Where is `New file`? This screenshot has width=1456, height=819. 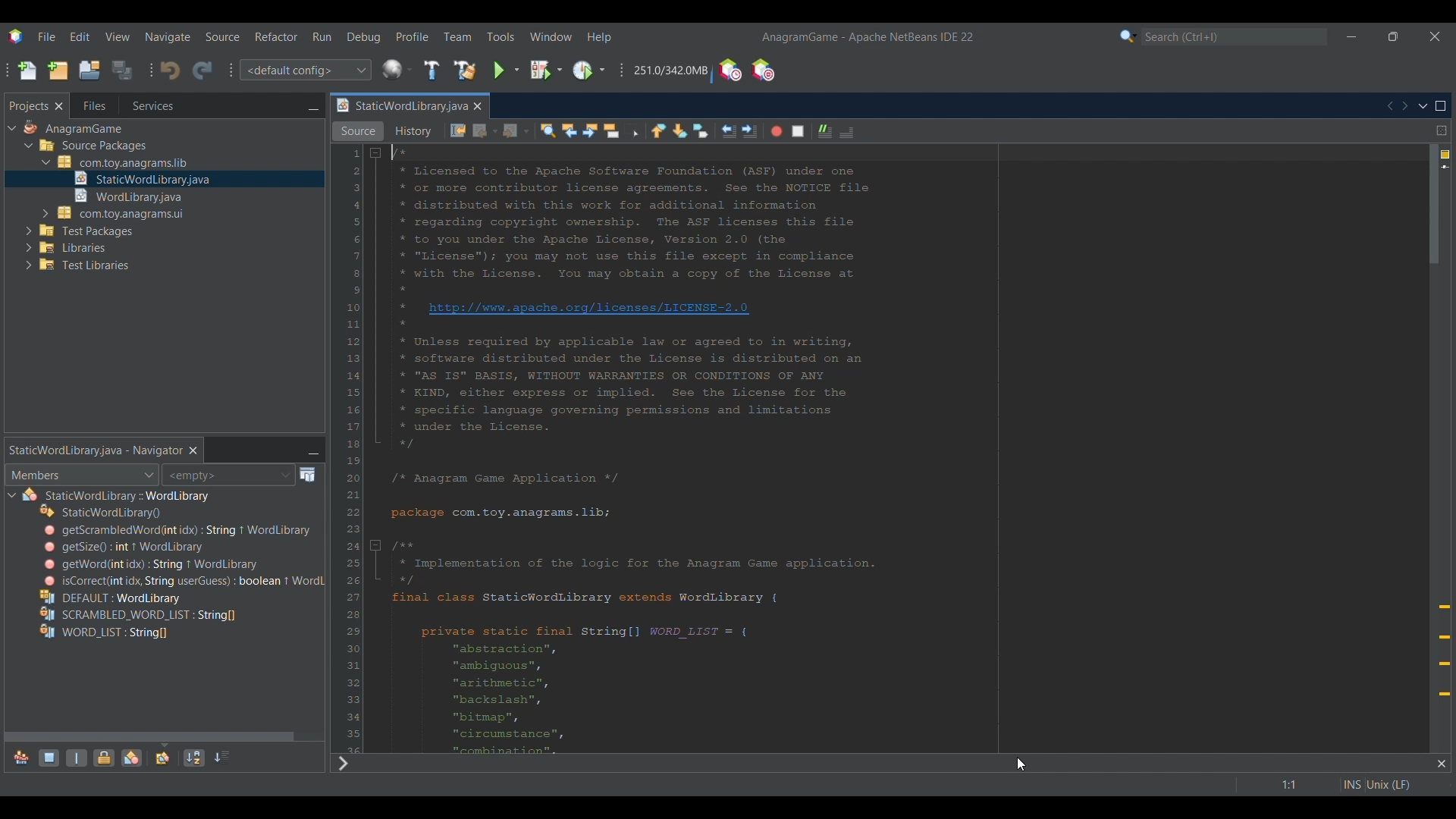 New file is located at coordinates (27, 71).